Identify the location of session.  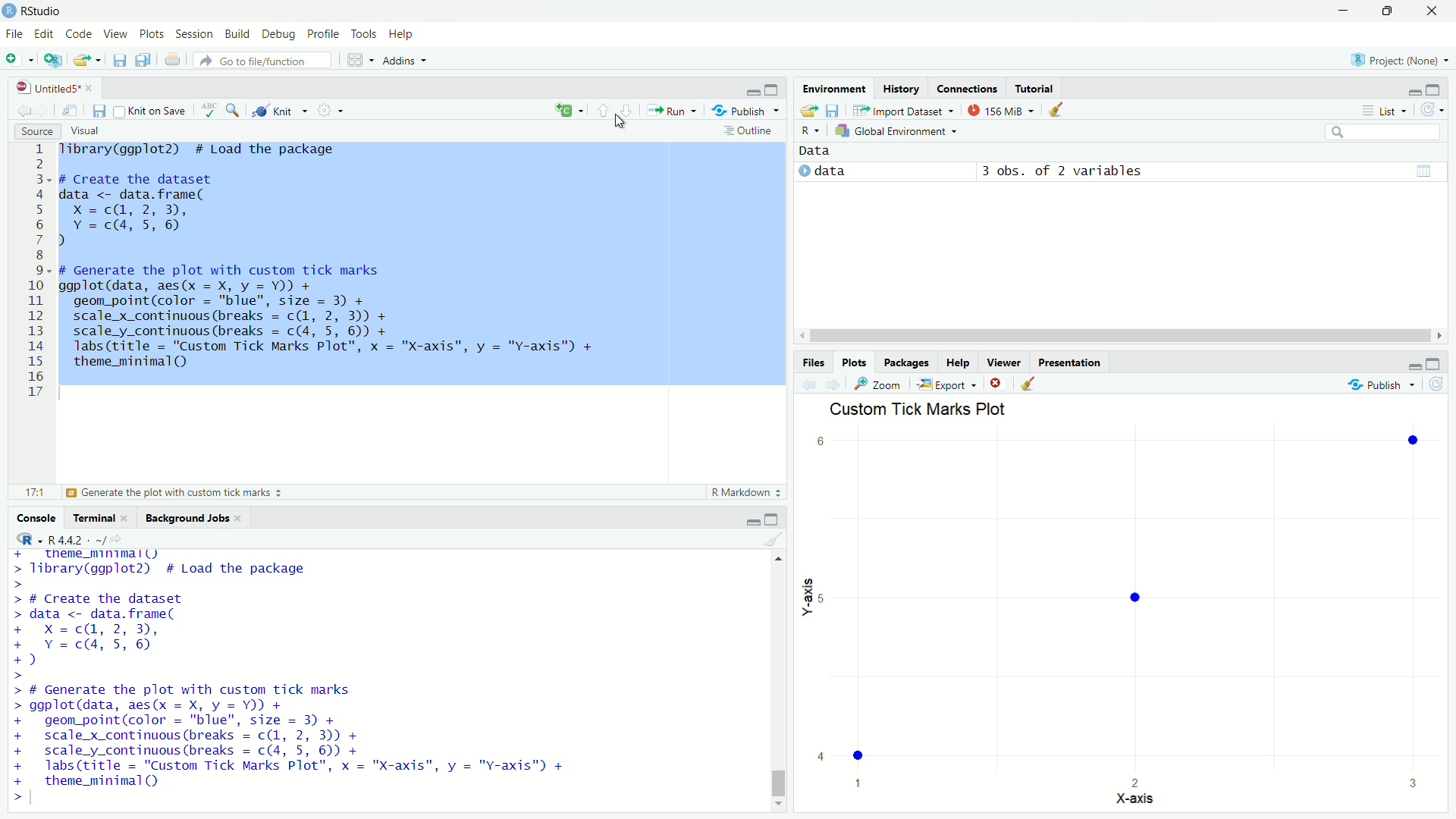
(194, 34).